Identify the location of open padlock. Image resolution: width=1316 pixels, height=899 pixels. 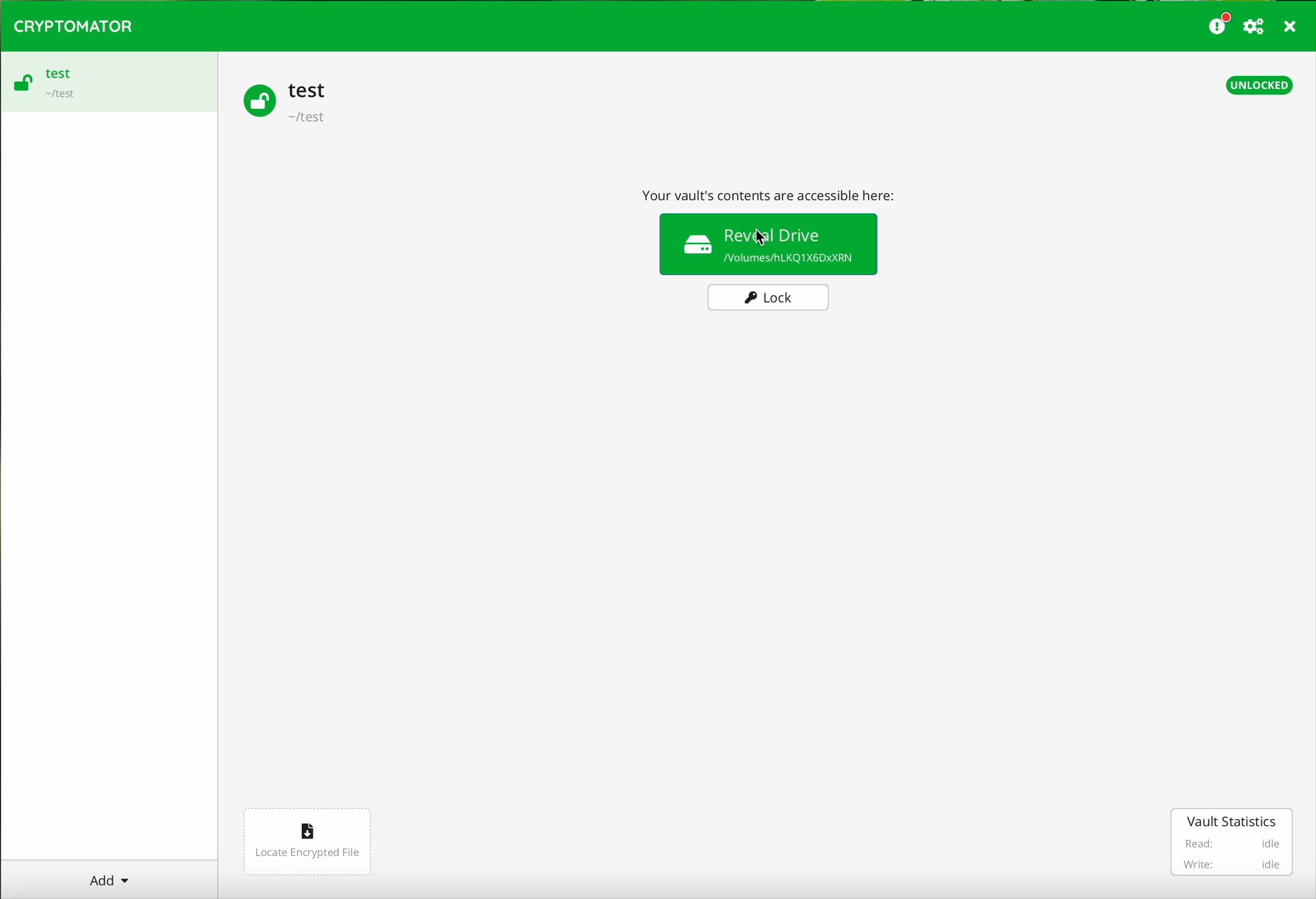
(22, 85).